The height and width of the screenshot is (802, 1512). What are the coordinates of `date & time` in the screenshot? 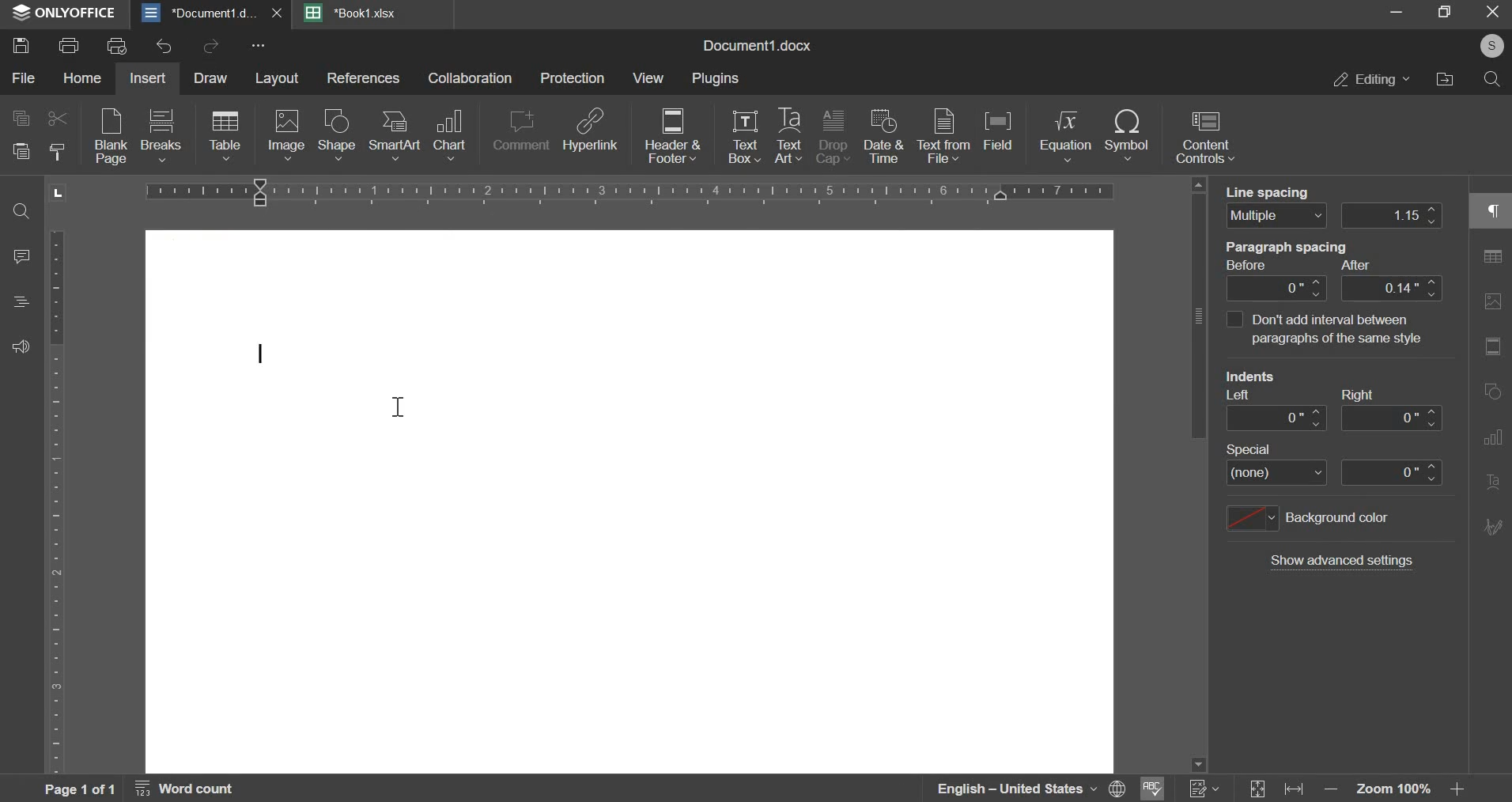 It's located at (885, 138).